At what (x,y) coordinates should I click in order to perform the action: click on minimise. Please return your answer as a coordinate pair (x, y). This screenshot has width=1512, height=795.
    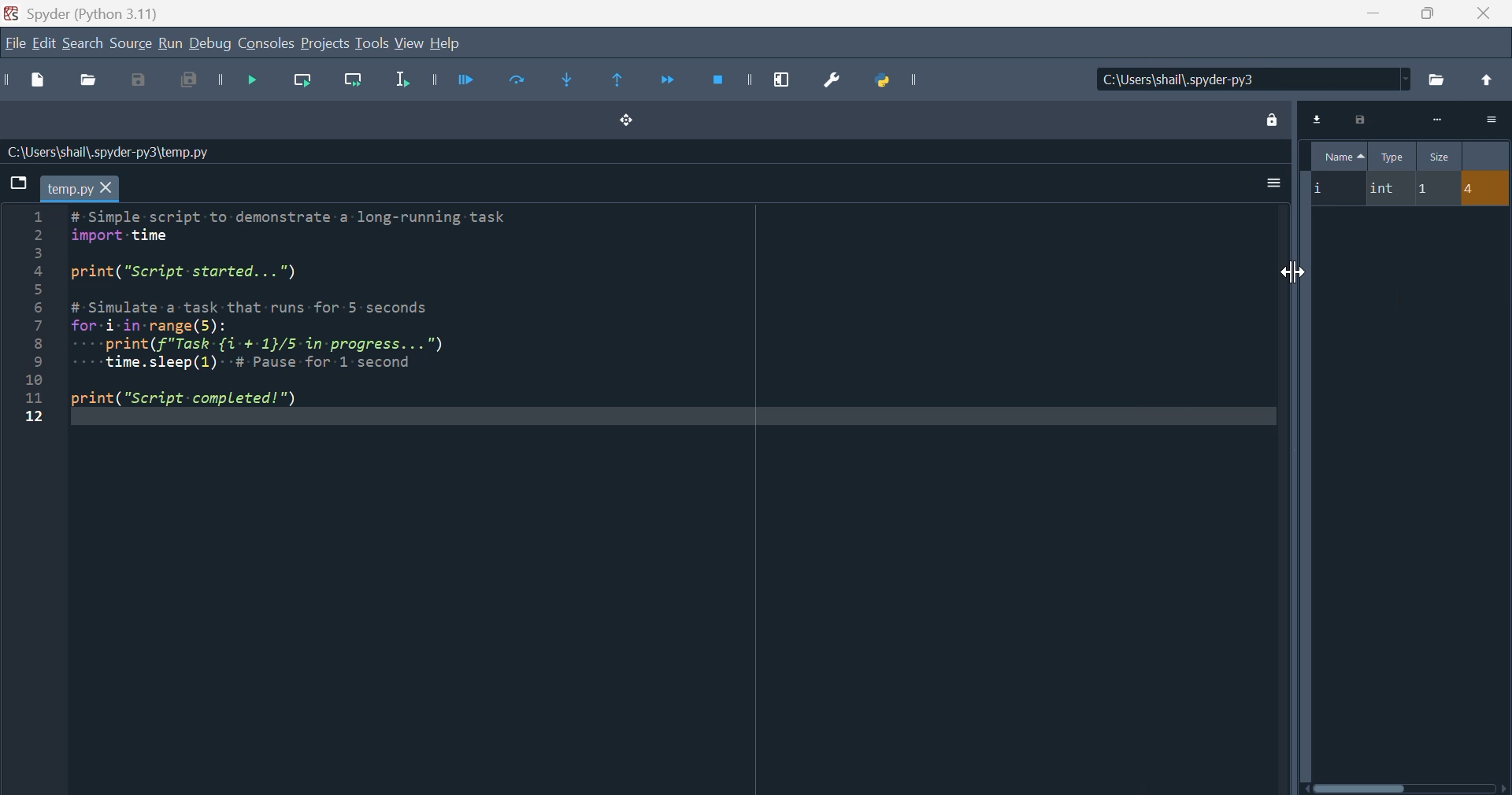
    Looking at the image, I should click on (1372, 13).